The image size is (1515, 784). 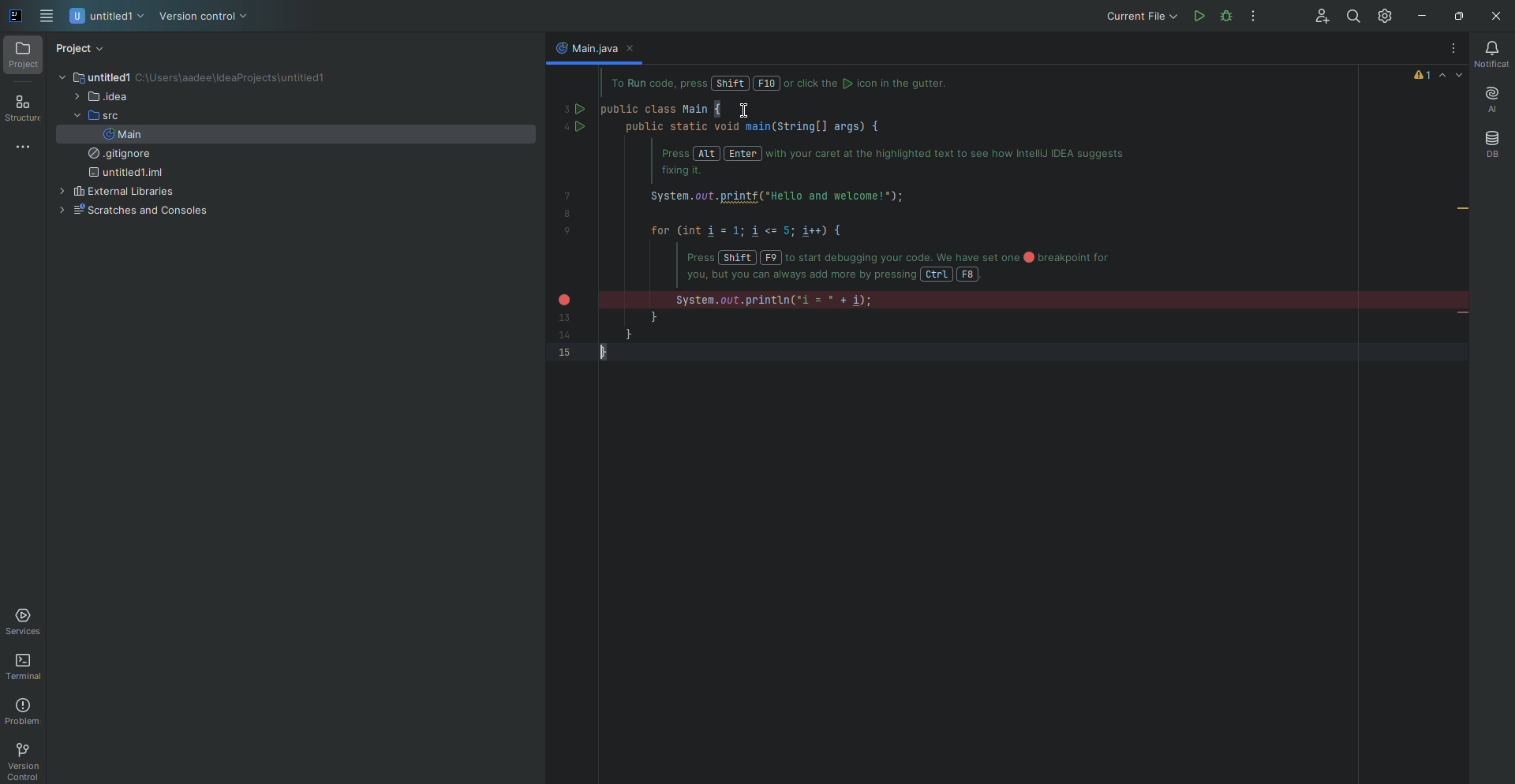 I want to click on Current File, so click(x=1139, y=16).